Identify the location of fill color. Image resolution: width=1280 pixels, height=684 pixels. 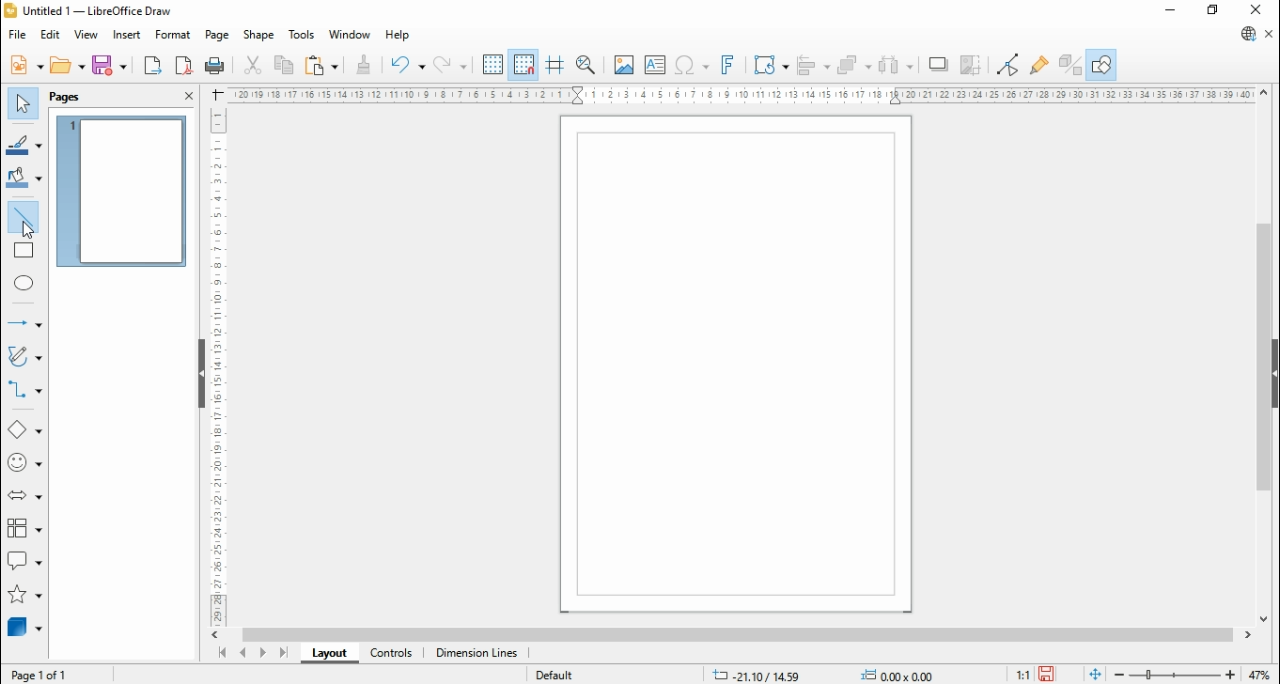
(24, 177).